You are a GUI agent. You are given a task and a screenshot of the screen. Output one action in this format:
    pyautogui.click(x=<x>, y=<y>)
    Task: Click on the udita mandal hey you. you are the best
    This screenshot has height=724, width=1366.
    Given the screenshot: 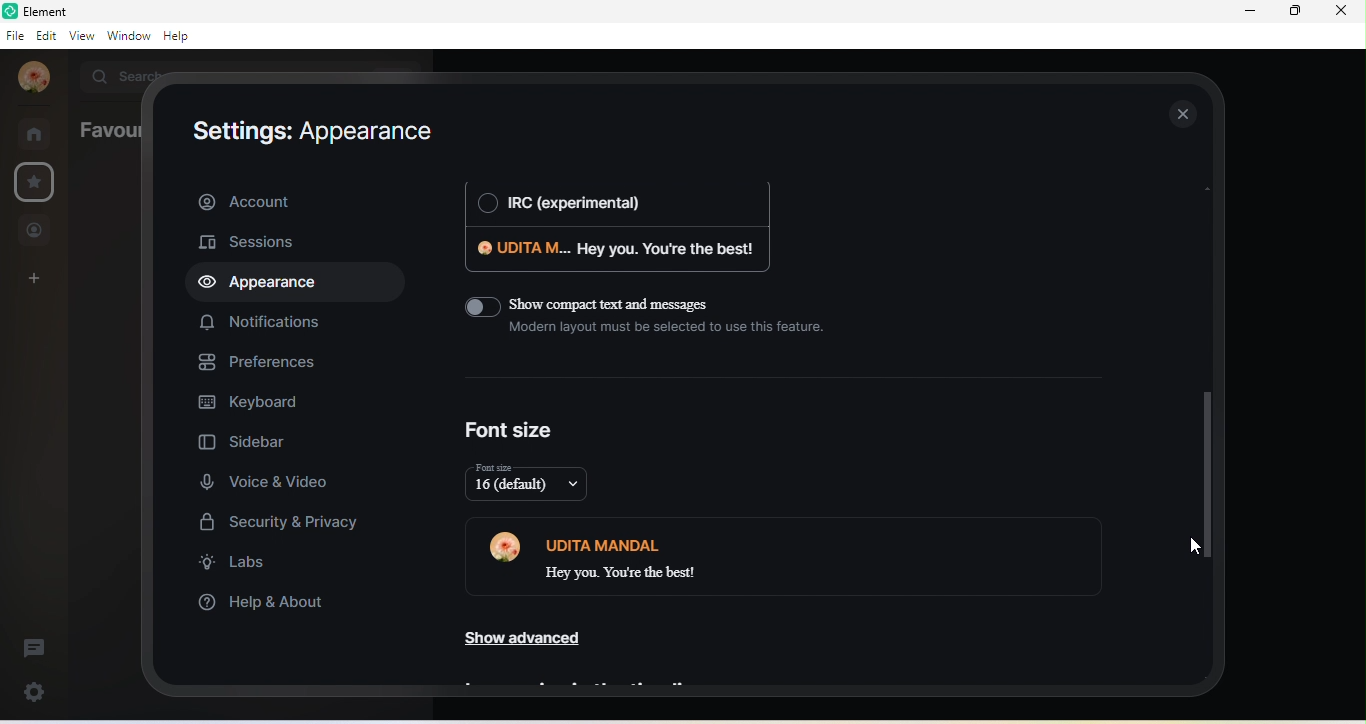 What is the action you would take?
    pyautogui.click(x=735, y=556)
    